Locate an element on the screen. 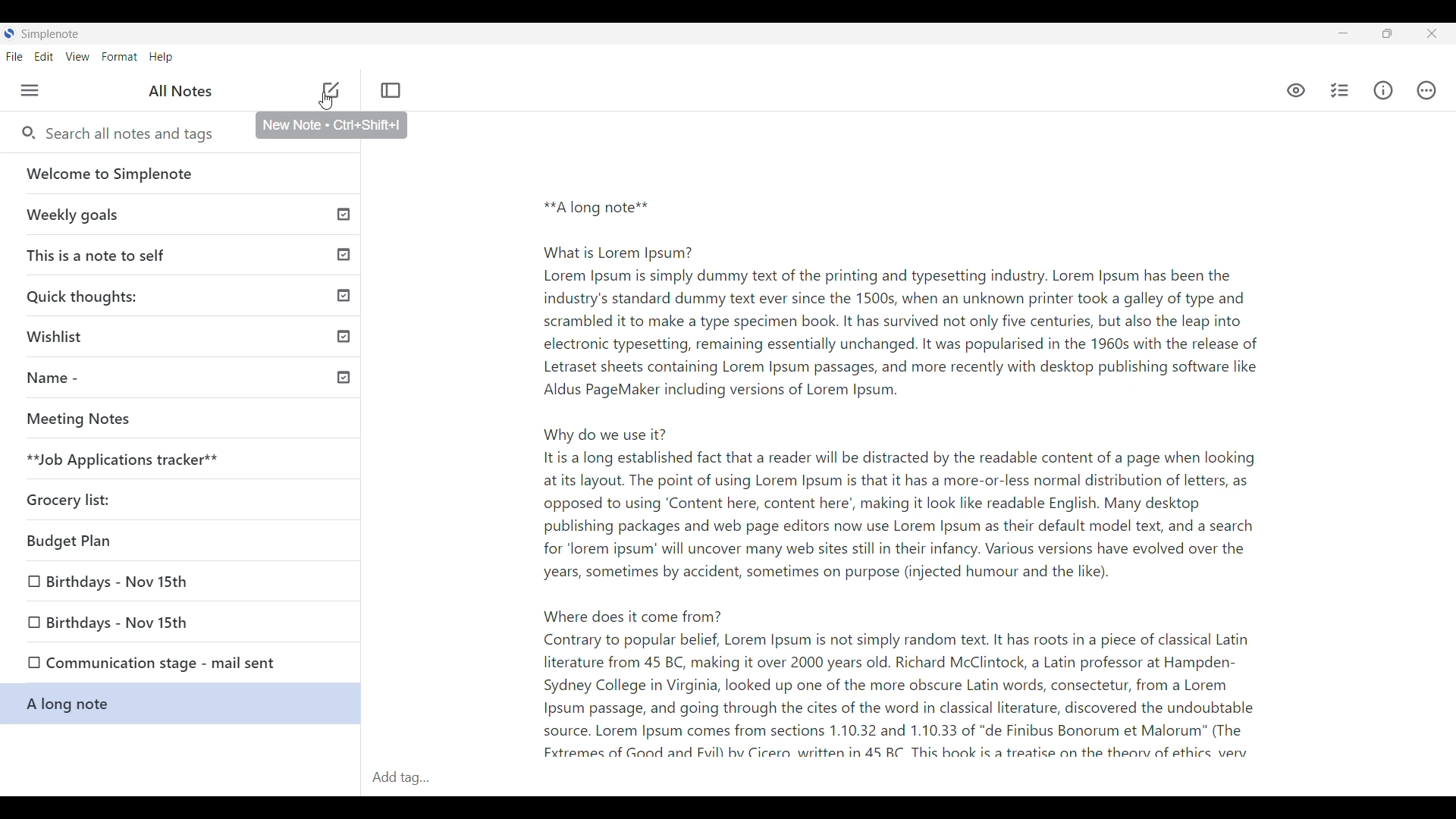  Search all notes and tags is located at coordinates (136, 134).